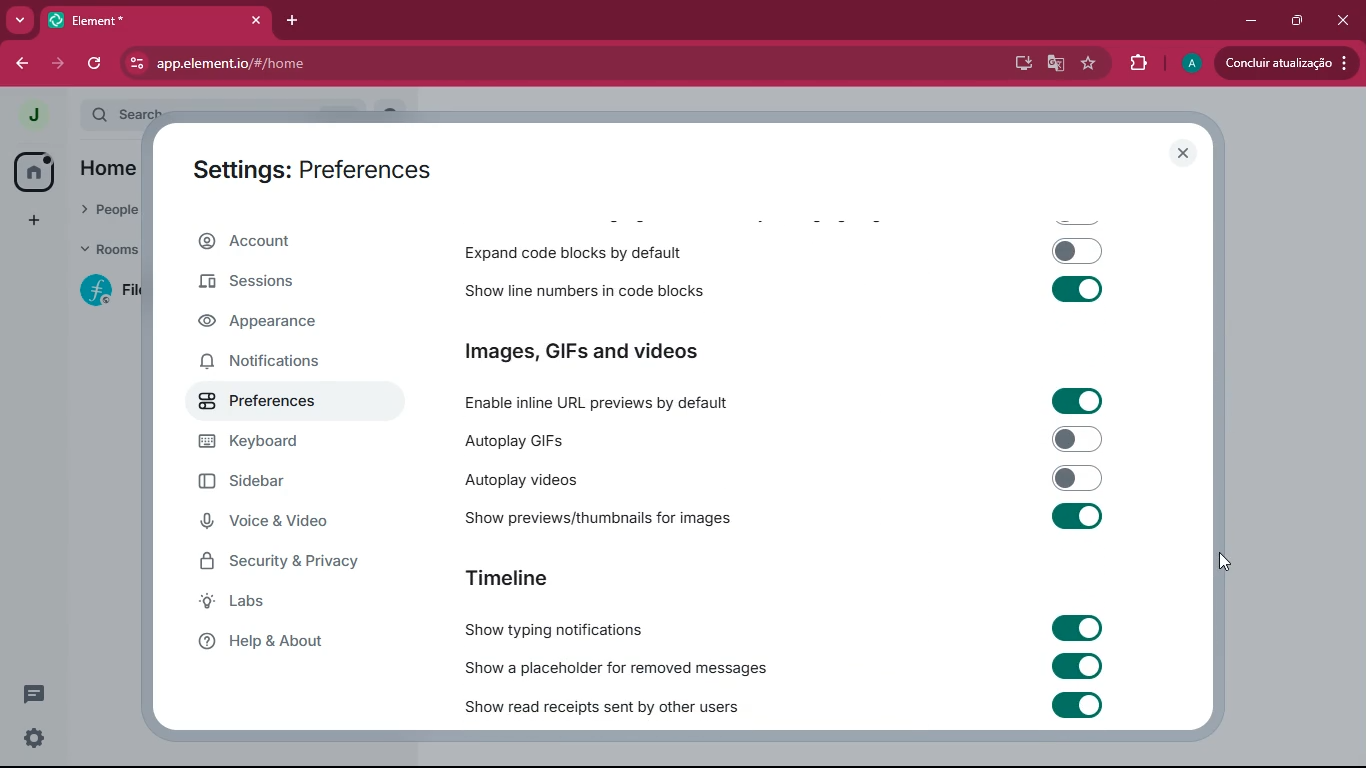  I want to click on settings: preferences, so click(310, 166).